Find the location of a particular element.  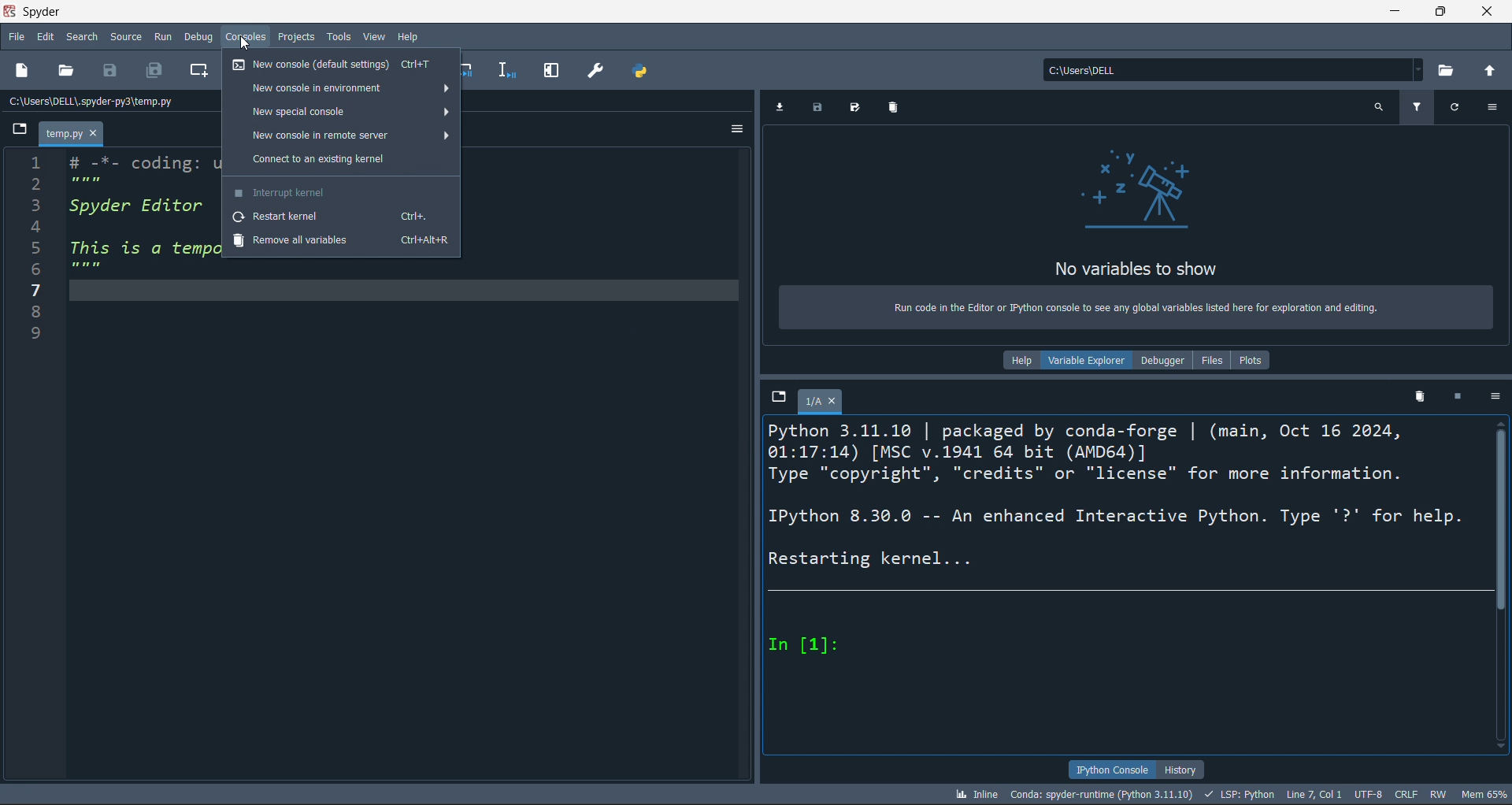

No variables to show is located at coordinates (1137, 270).